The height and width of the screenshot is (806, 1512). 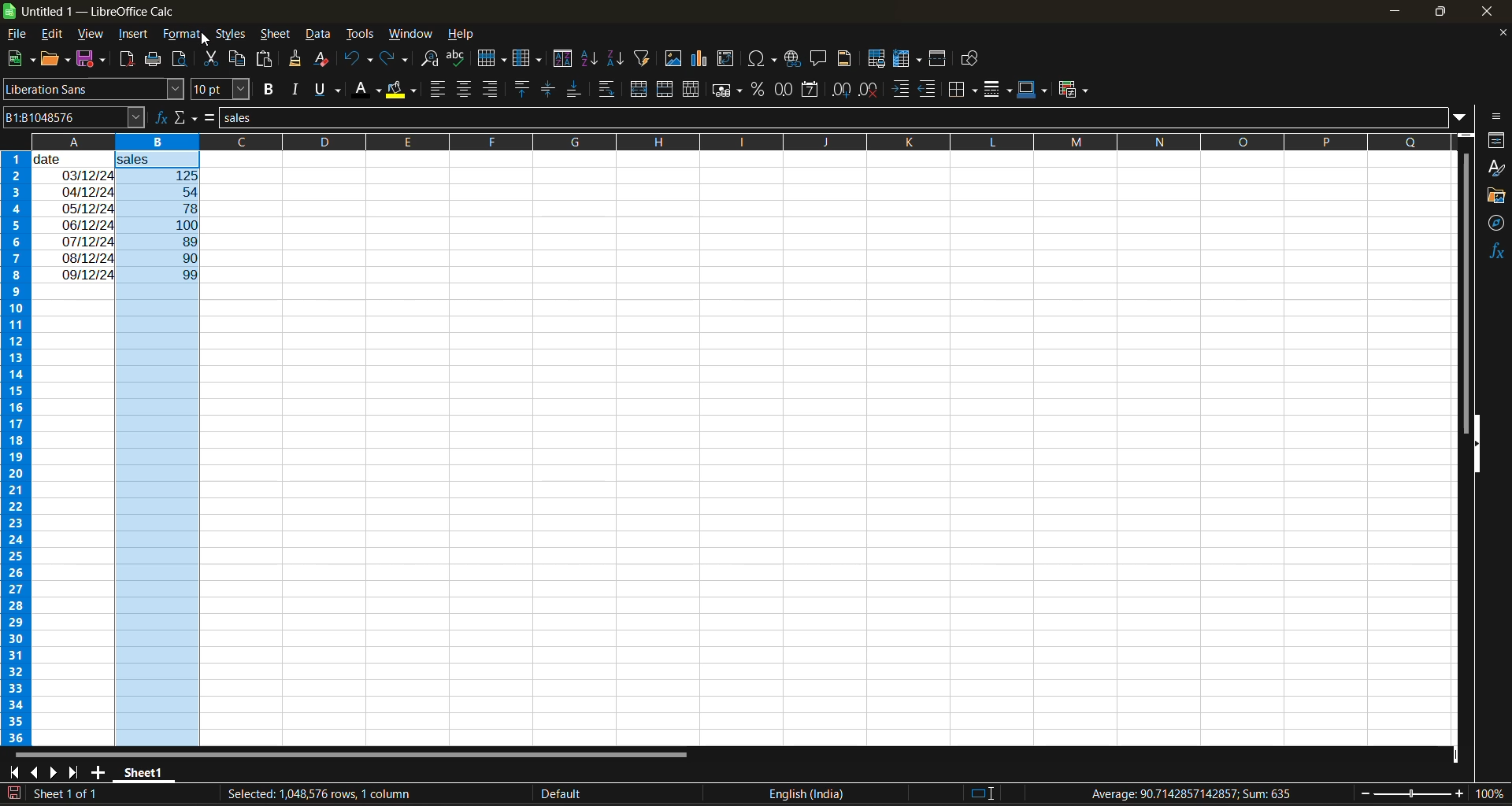 What do you see at coordinates (69, 793) in the screenshot?
I see `sheet number` at bounding box center [69, 793].